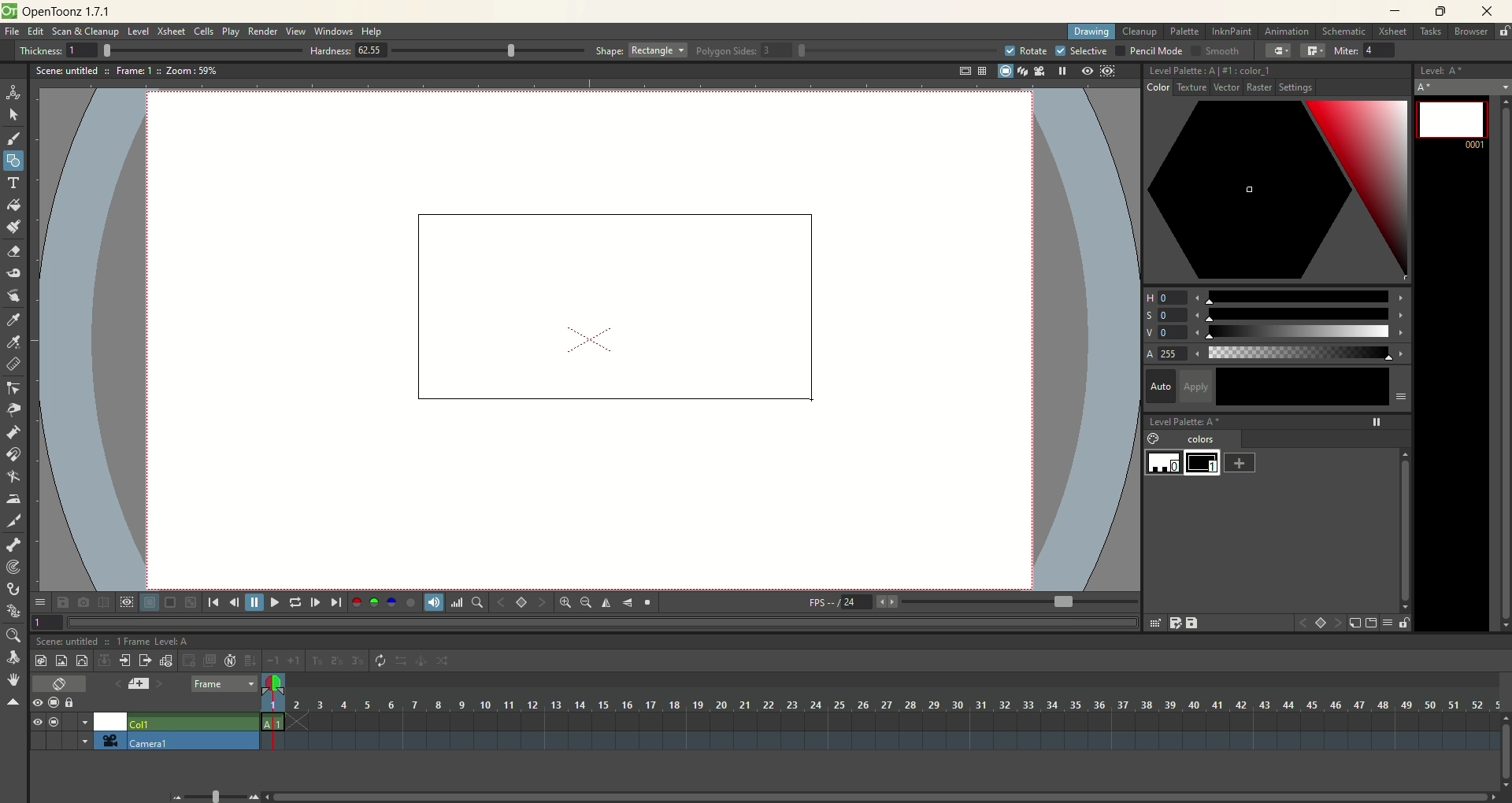 This screenshot has height=803, width=1512. Describe the element at coordinates (127, 73) in the screenshot. I see `scene untitled :: Frame 1 :: Zoom 59% ` at that location.